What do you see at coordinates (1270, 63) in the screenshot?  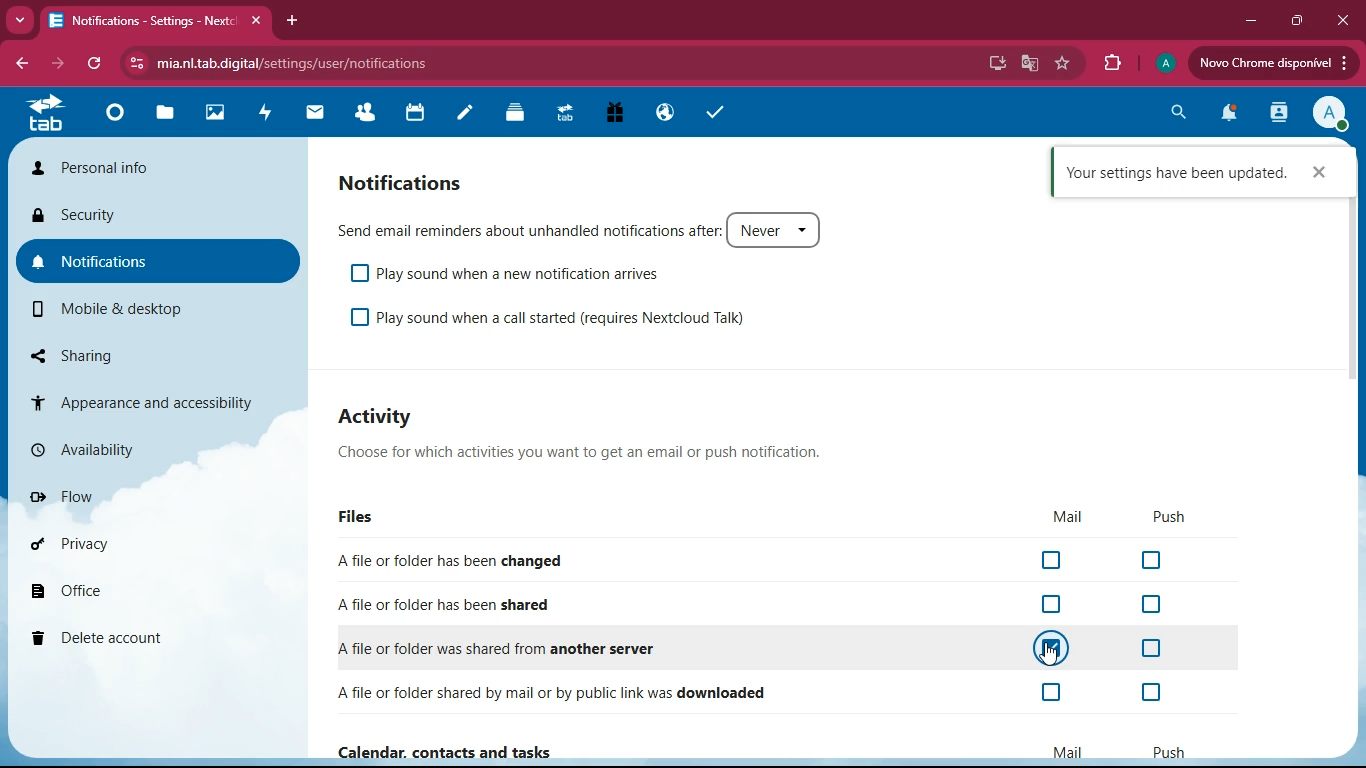 I see `update` at bounding box center [1270, 63].